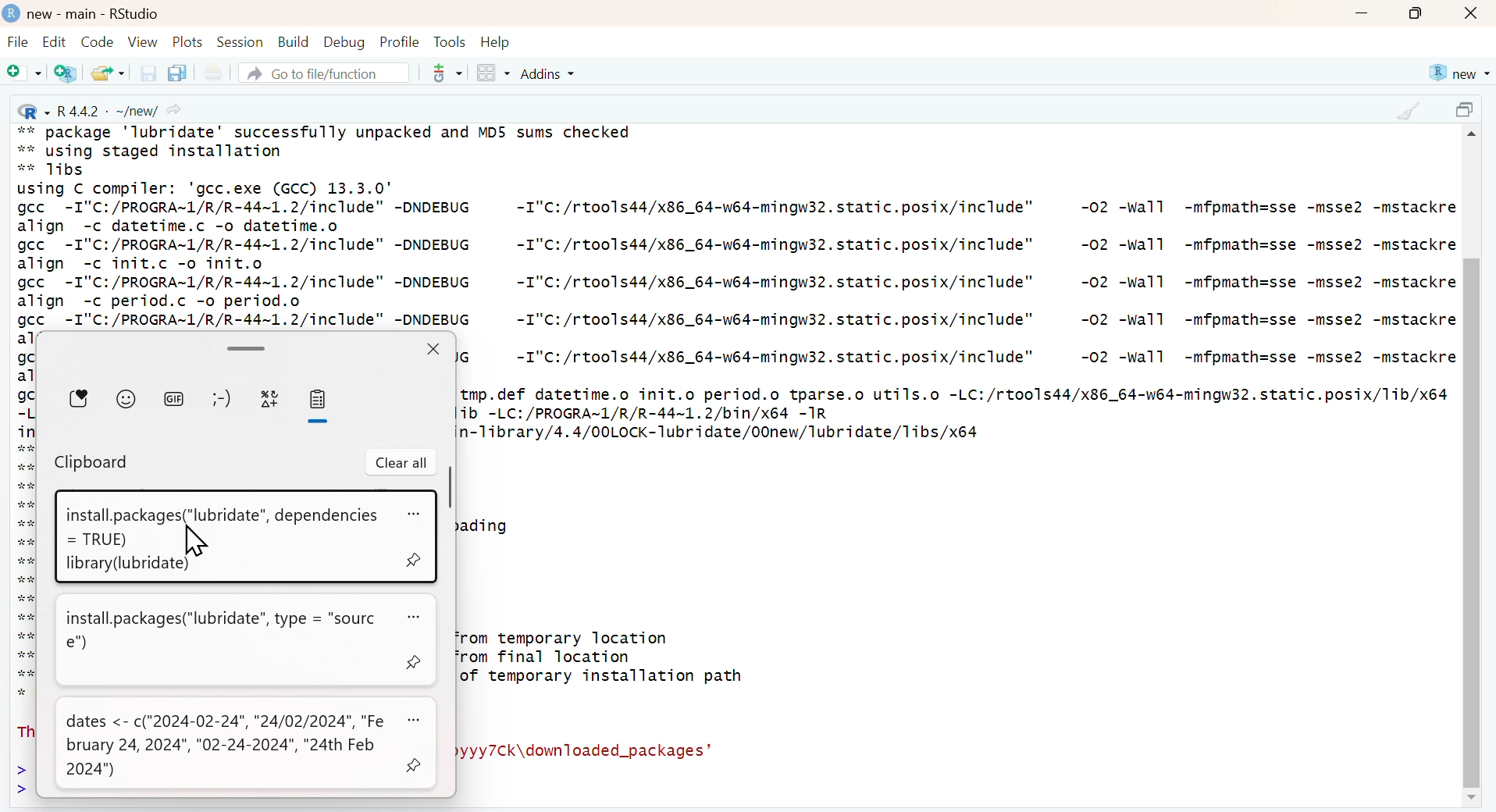 The width and height of the screenshot is (1496, 812). I want to click on pin, so click(417, 663).